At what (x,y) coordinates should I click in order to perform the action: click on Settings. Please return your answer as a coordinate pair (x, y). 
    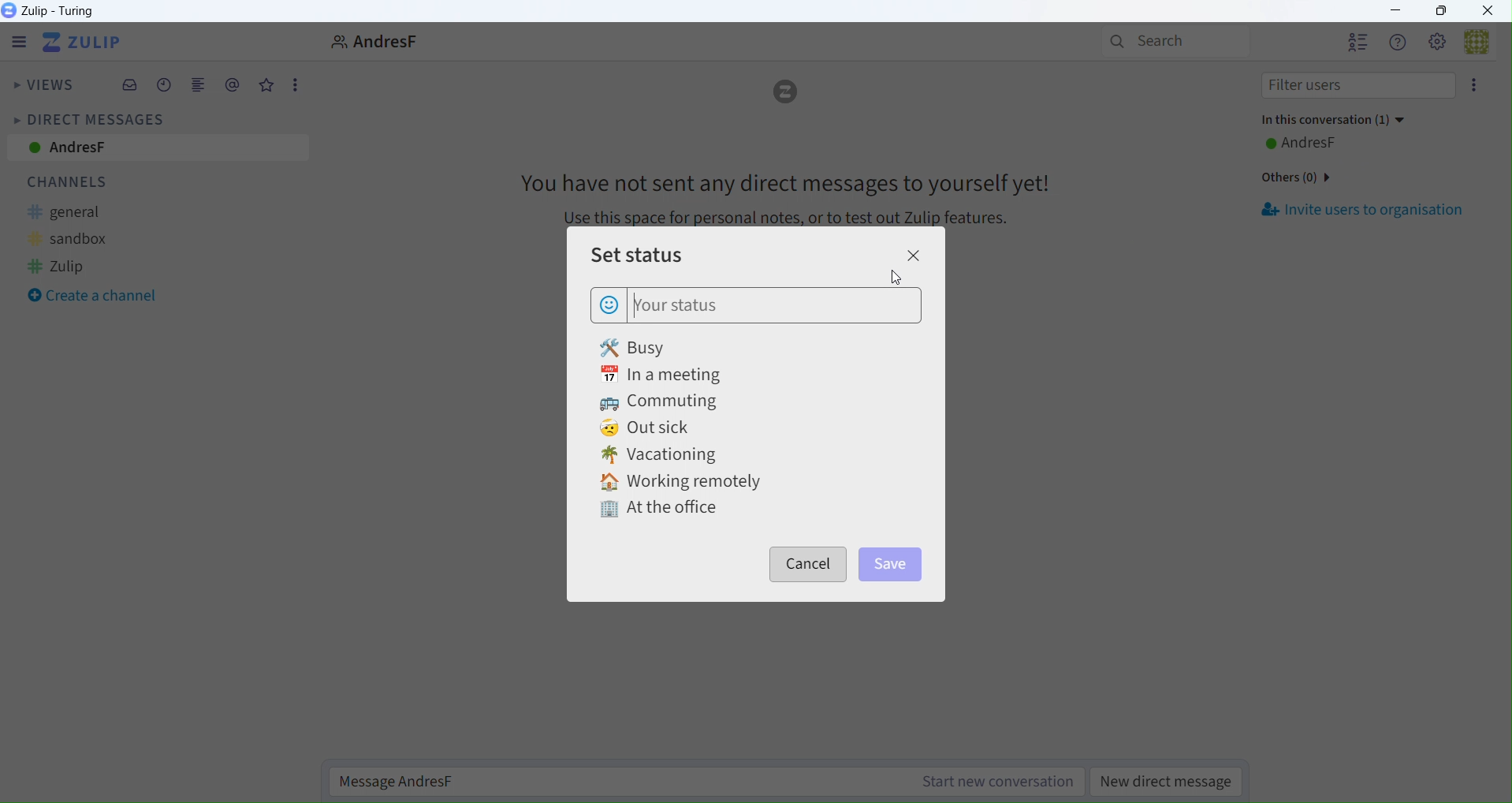
    Looking at the image, I should click on (1439, 43).